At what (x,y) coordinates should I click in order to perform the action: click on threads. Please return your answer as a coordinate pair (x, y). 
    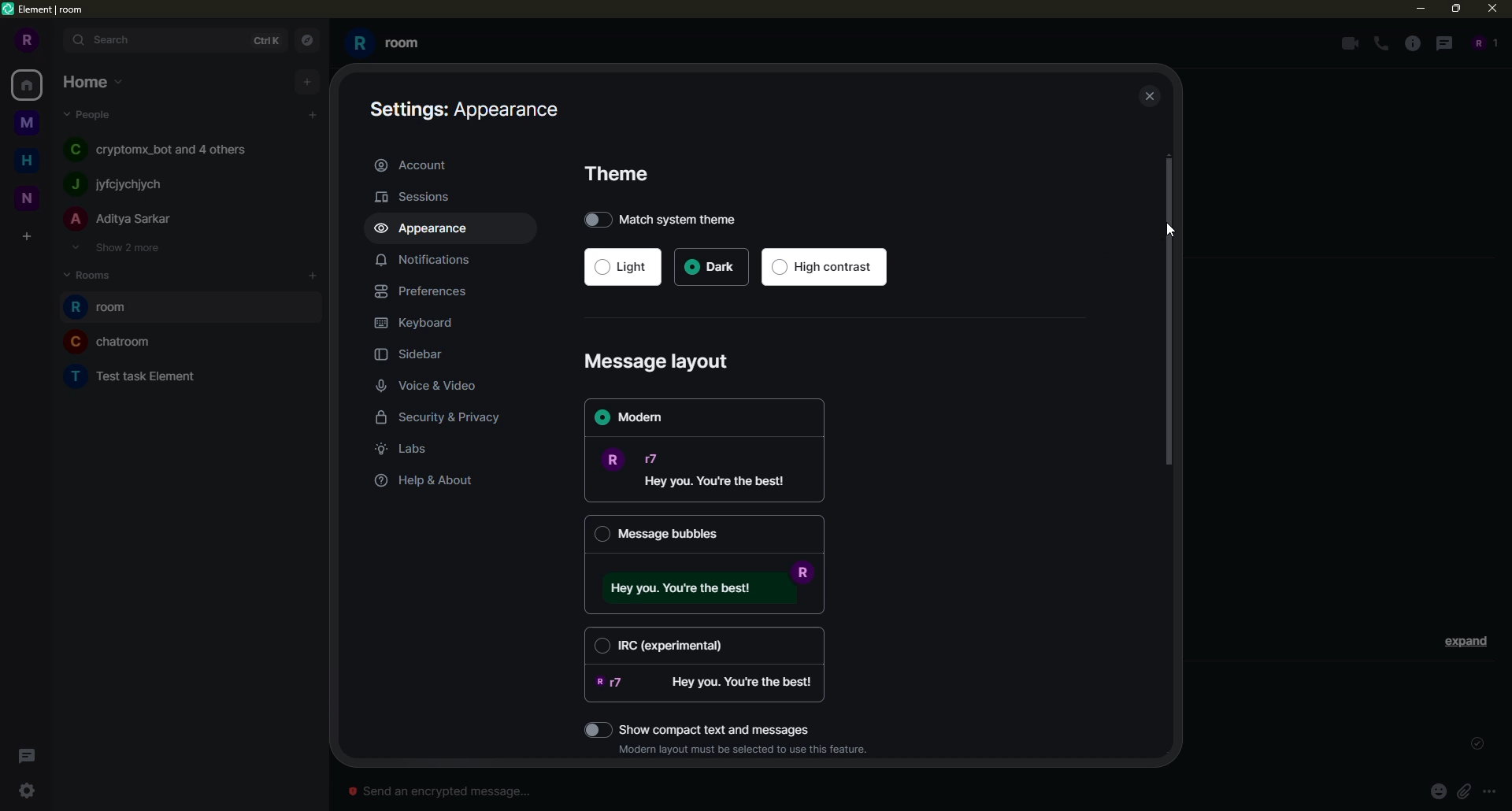
    Looking at the image, I should click on (24, 756).